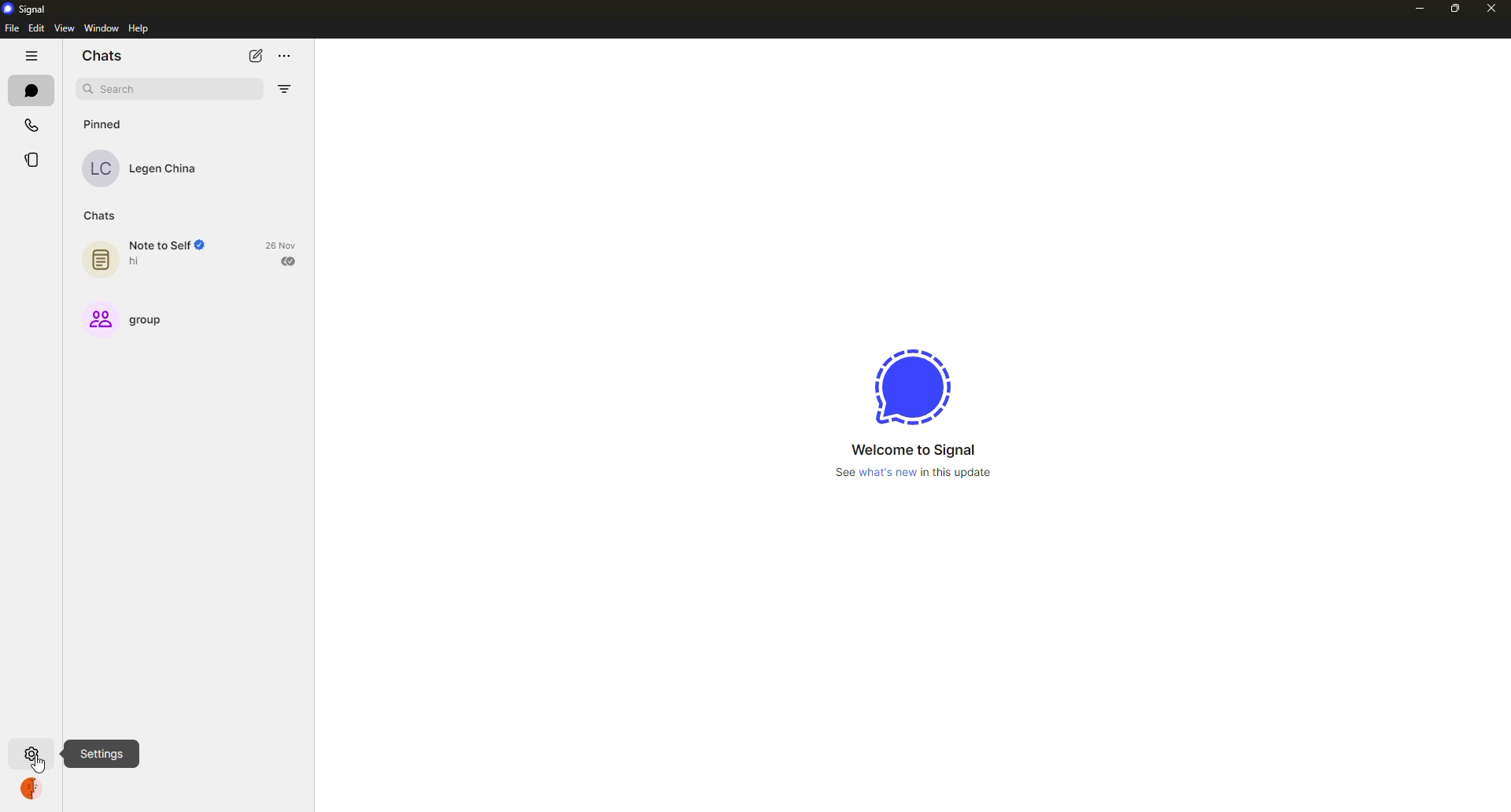 This screenshot has width=1511, height=812. Describe the element at coordinates (1491, 6) in the screenshot. I see `close` at that location.